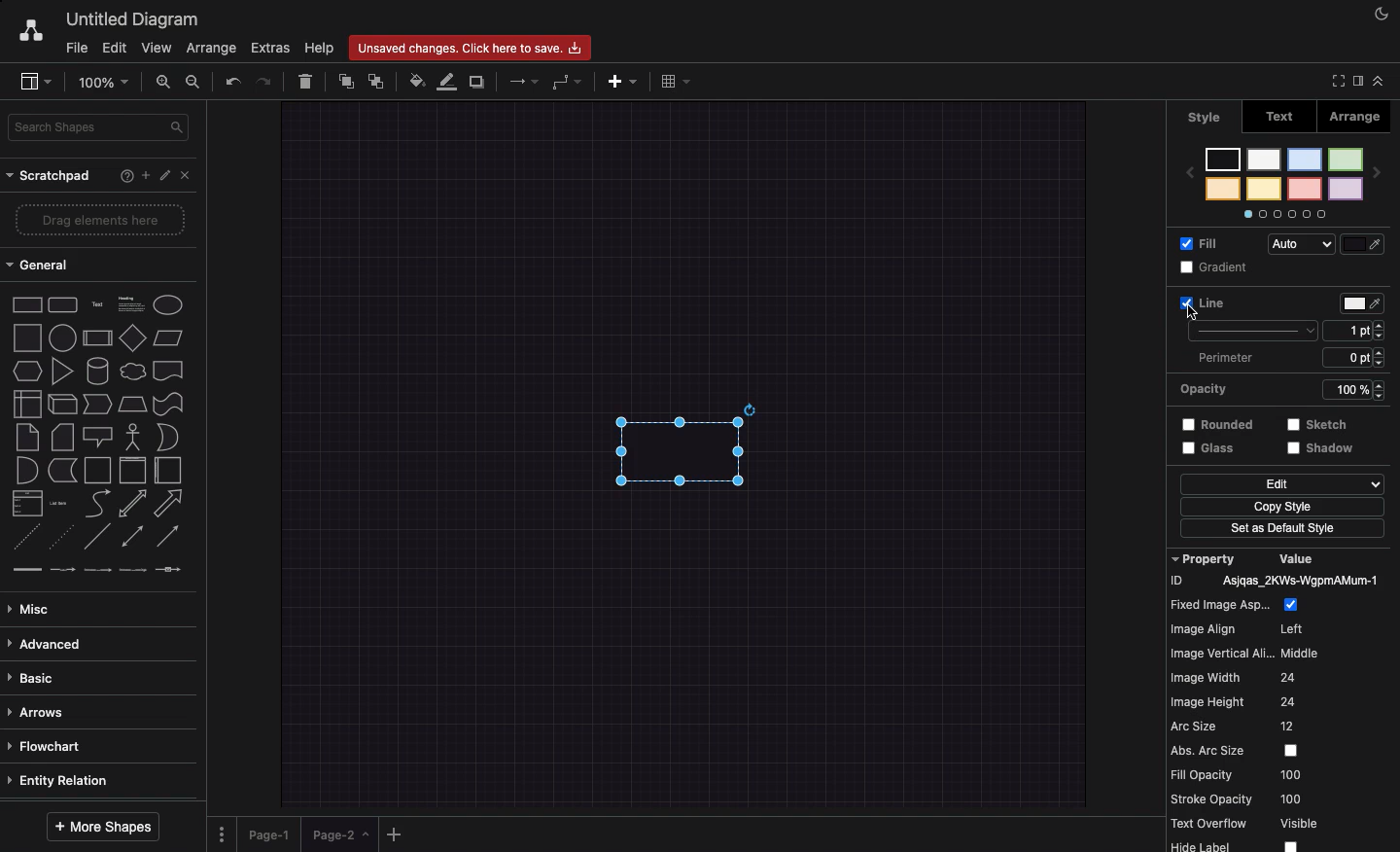  What do you see at coordinates (474, 47) in the screenshot?
I see `Unsaved changes. click to save changes` at bounding box center [474, 47].